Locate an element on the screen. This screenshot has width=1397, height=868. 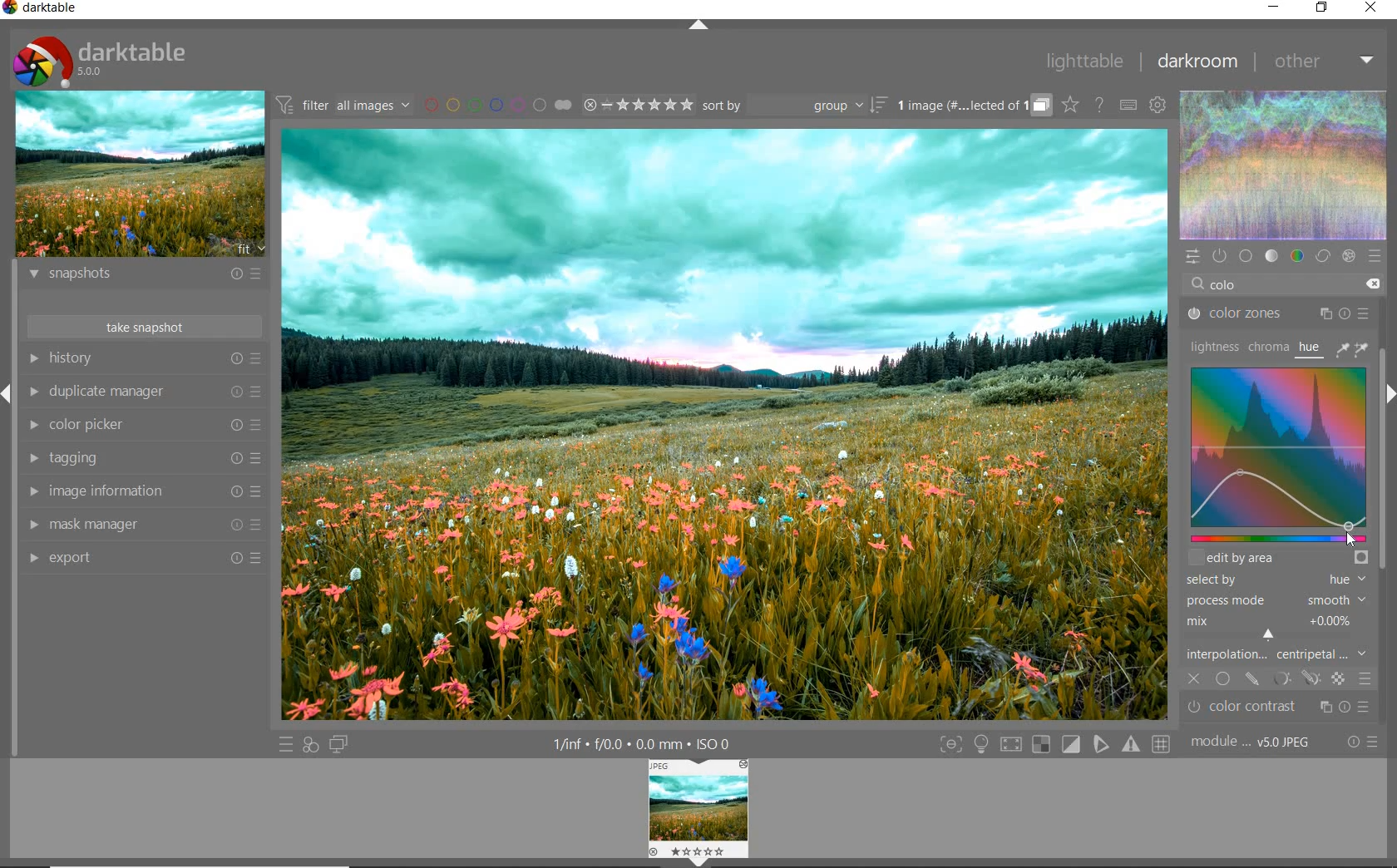
COLO is located at coordinates (1244, 286).